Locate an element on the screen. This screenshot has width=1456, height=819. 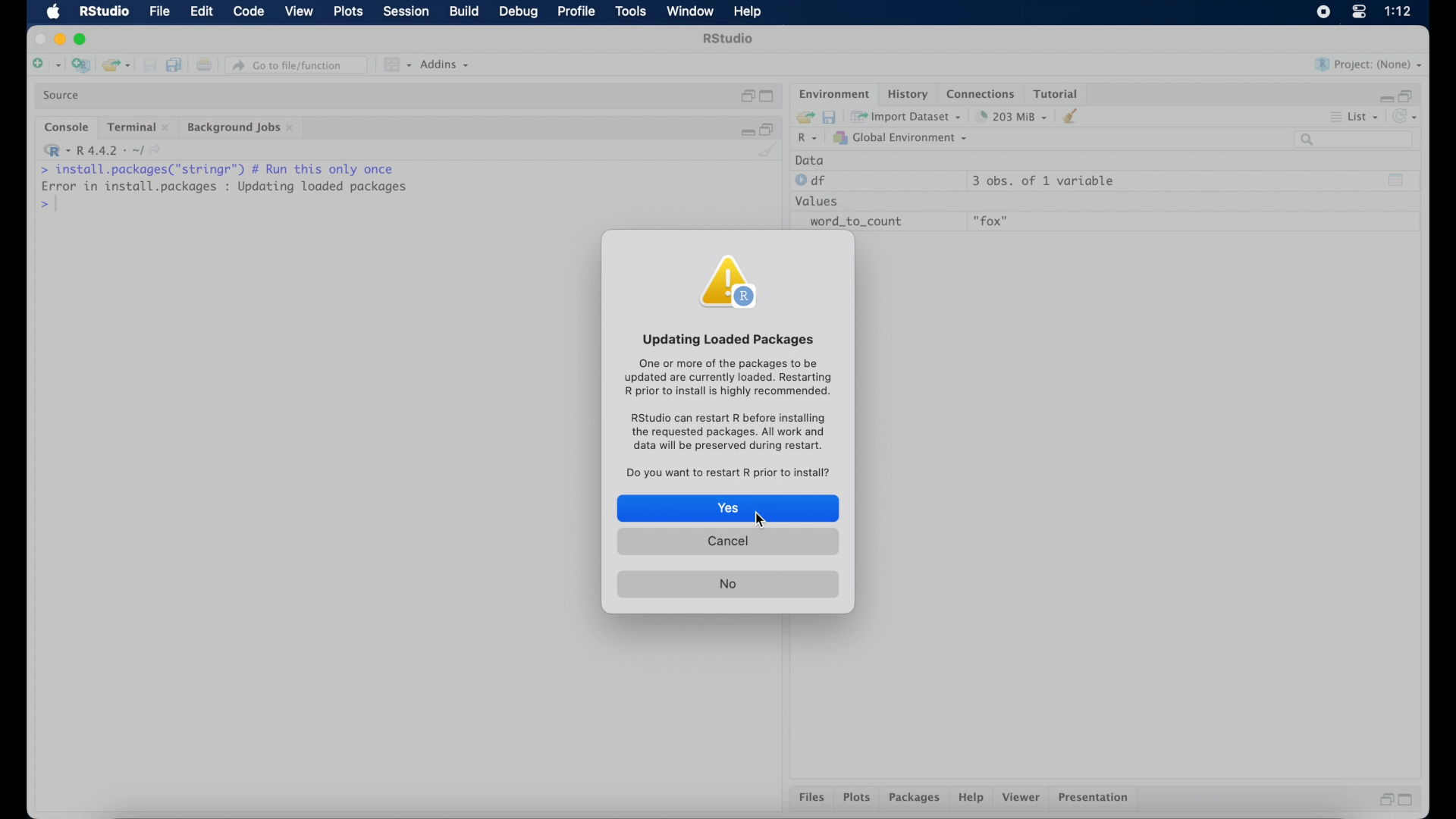
R studio is located at coordinates (728, 39).